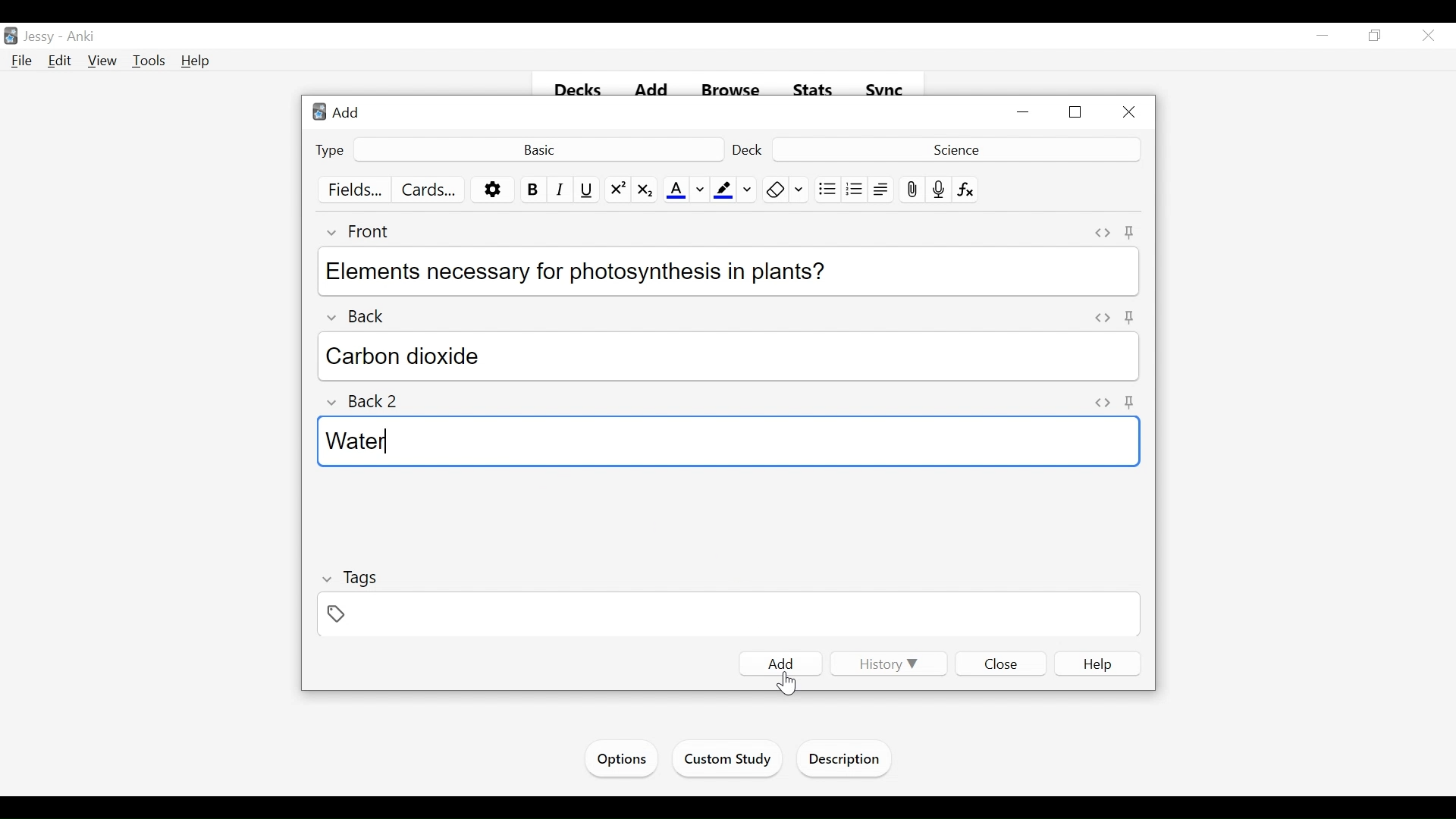 This screenshot has height=819, width=1456. What do you see at coordinates (1128, 318) in the screenshot?
I see `Toggle Sticky` at bounding box center [1128, 318].